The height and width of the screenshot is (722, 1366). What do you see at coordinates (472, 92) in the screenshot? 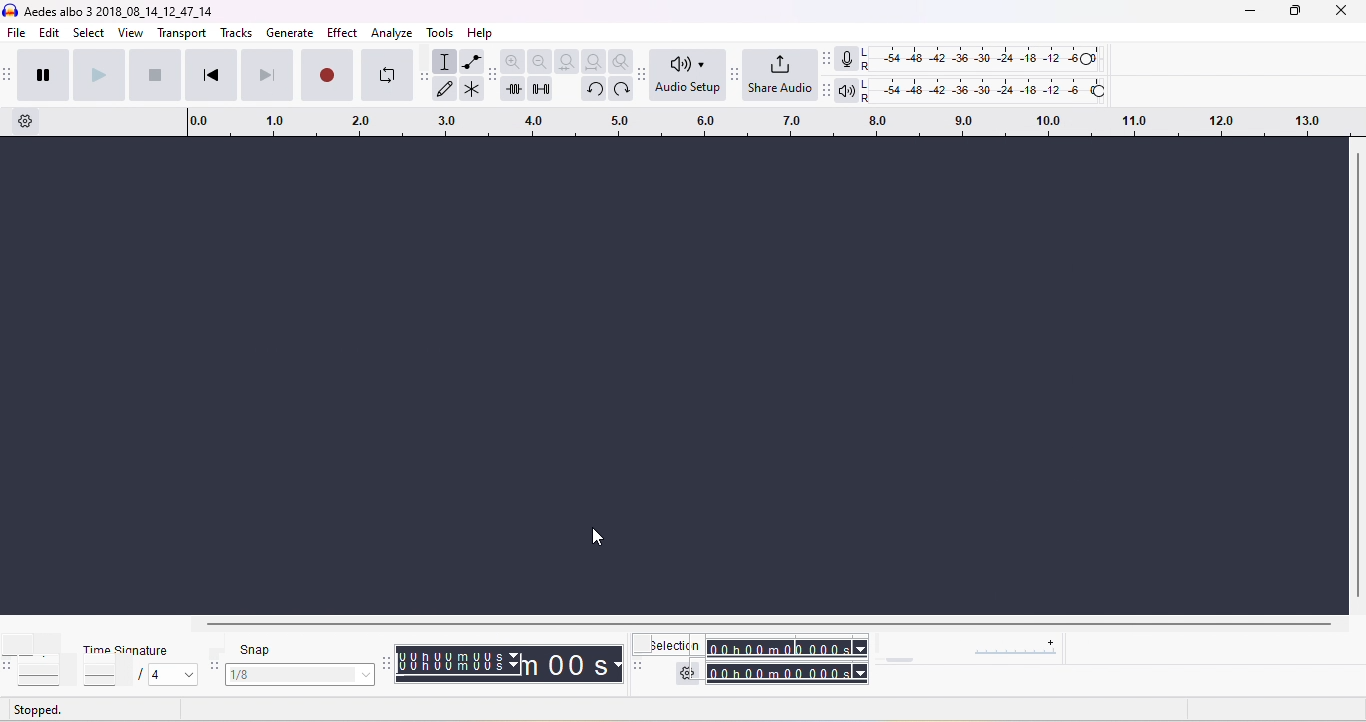
I see `multi tool` at bounding box center [472, 92].